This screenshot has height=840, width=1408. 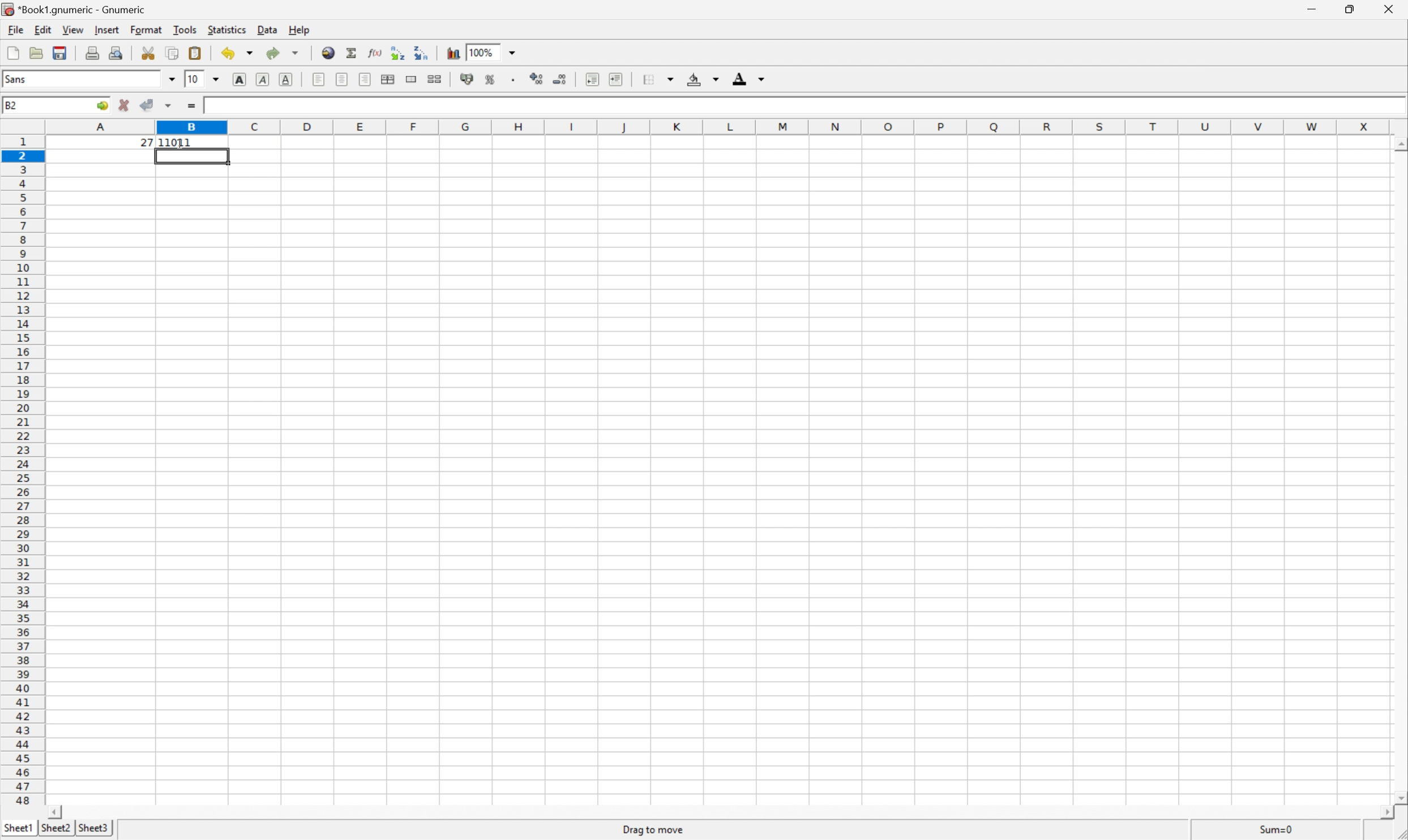 I want to click on Drop Down, so click(x=173, y=80).